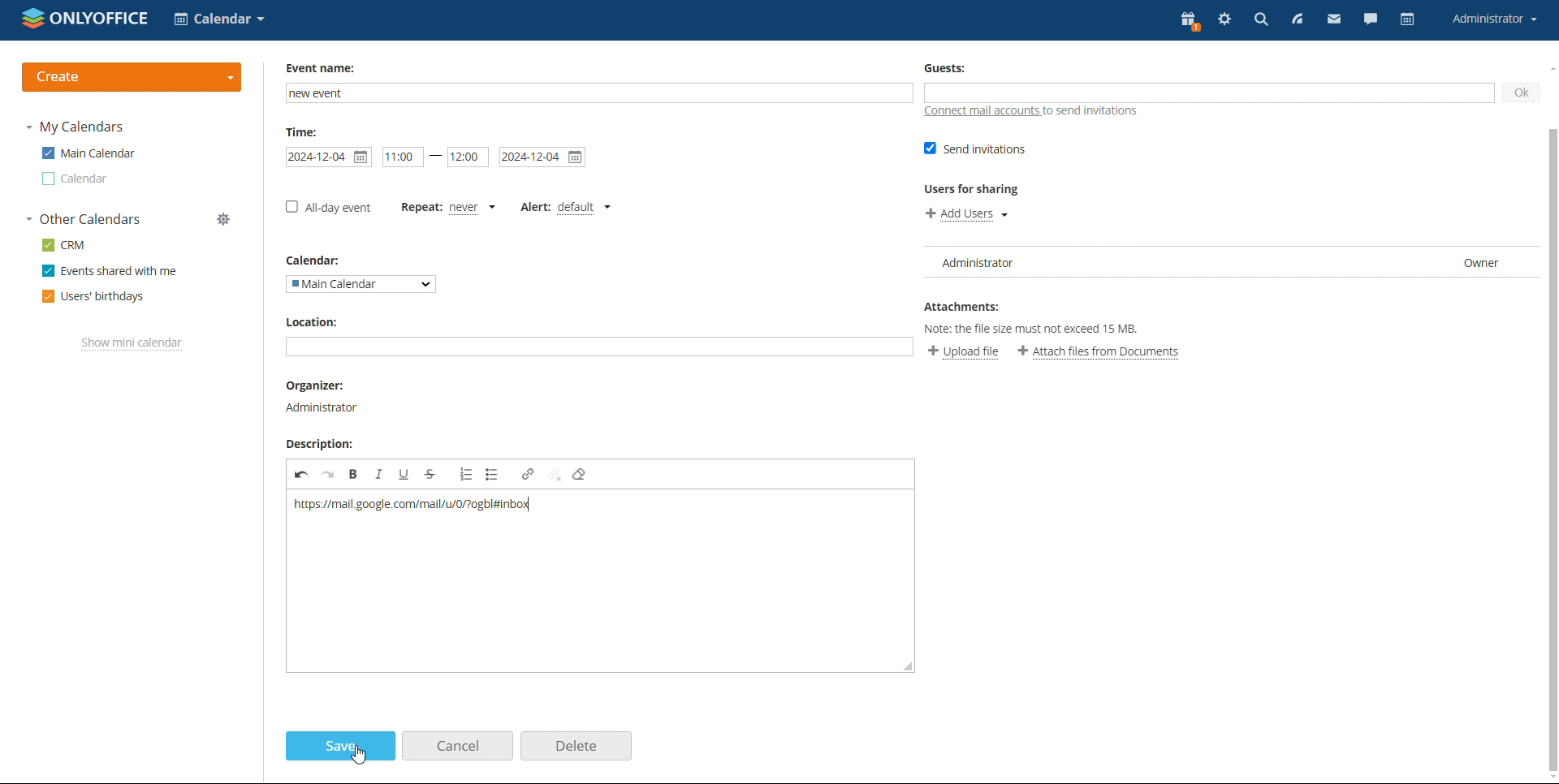 This screenshot has width=1559, height=784. What do you see at coordinates (361, 756) in the screenshot?
I see `cursor` at bounding box center [361, 756].